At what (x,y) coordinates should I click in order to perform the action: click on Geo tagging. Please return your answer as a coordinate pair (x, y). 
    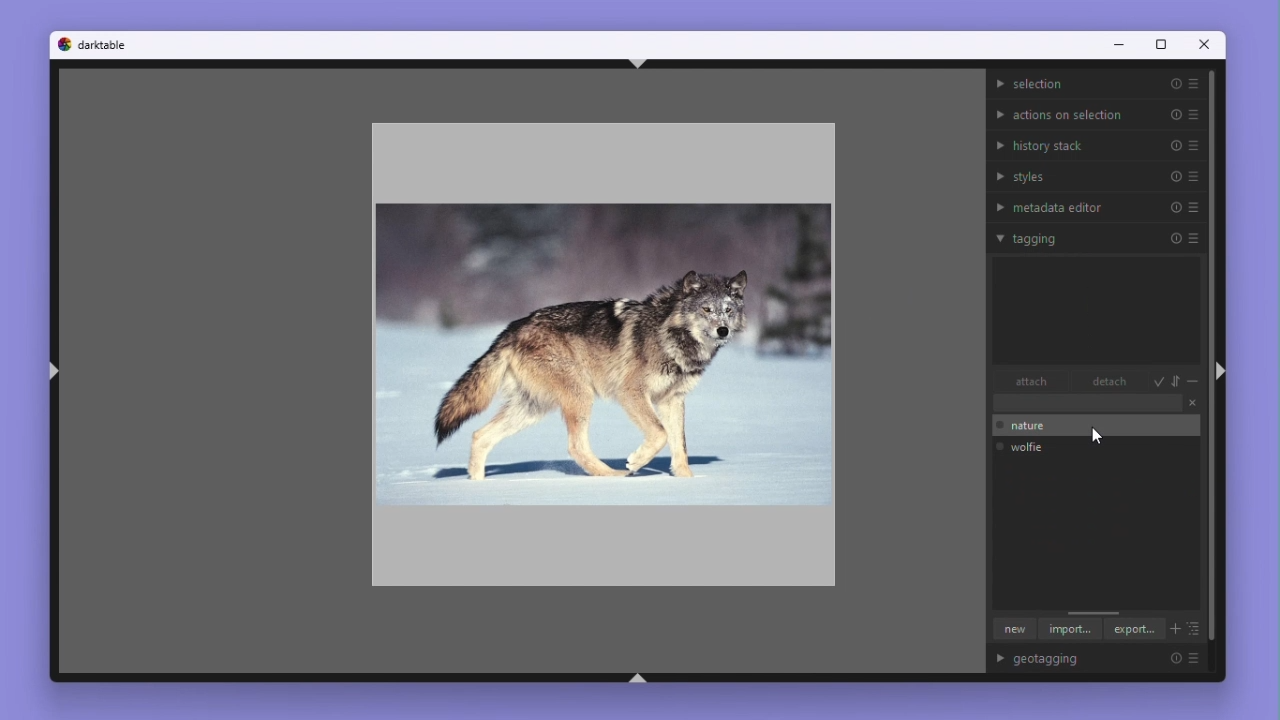
    Looking at the image, I should click on (1104, 660).